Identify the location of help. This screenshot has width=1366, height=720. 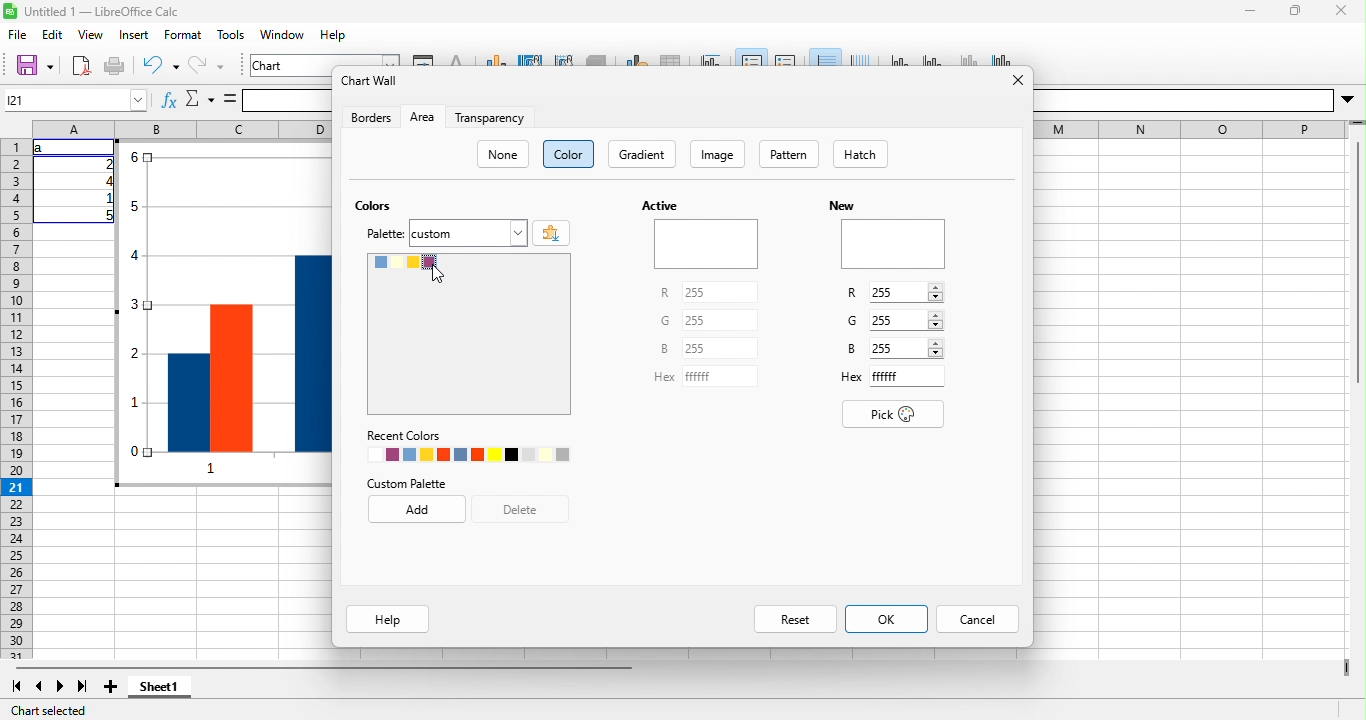
(388, 619).